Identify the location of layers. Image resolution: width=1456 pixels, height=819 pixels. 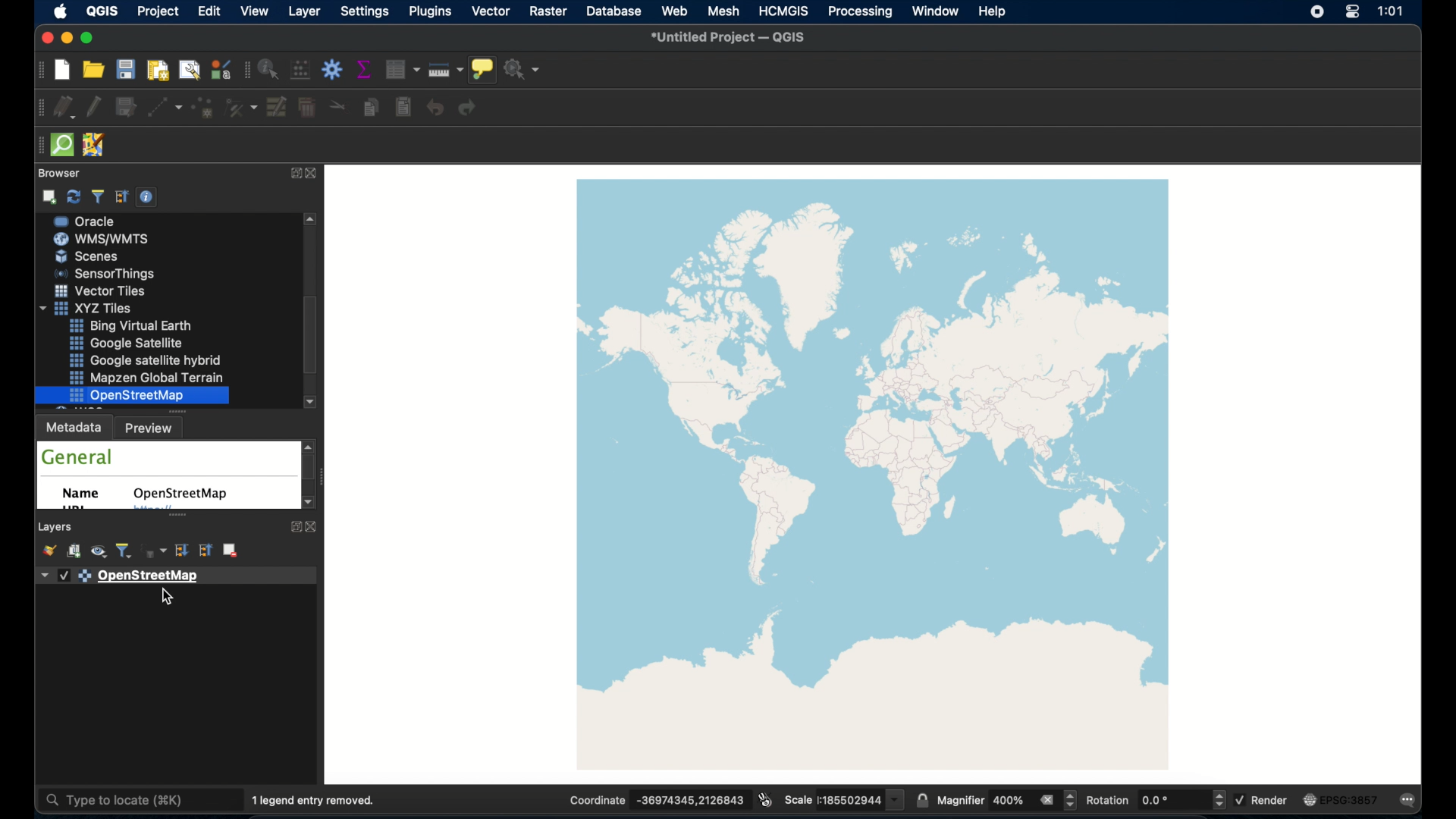
(57, 527).